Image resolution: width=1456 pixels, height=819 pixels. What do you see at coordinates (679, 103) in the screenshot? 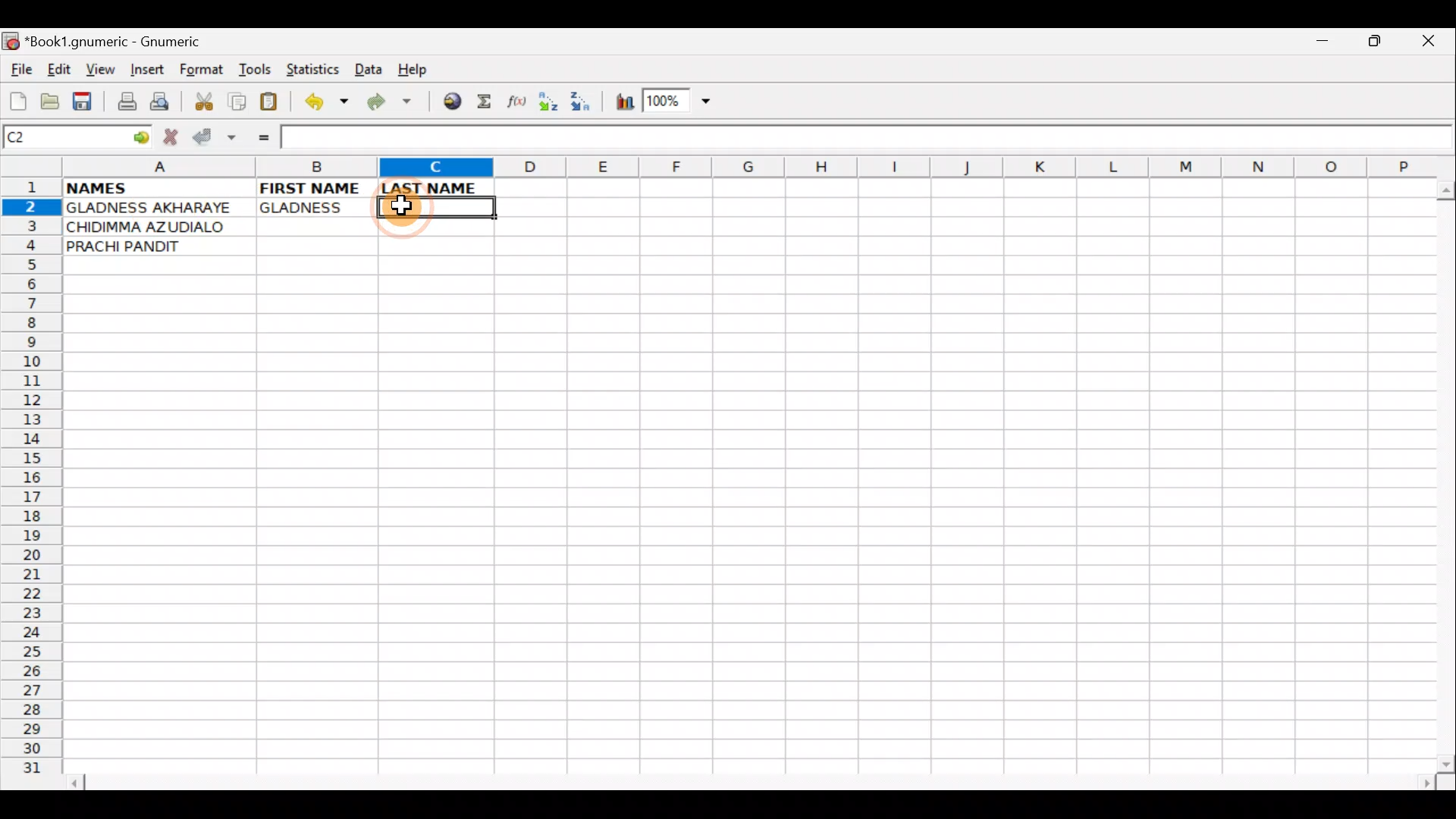
I see `Zoom` at bounding box center [679, 103].